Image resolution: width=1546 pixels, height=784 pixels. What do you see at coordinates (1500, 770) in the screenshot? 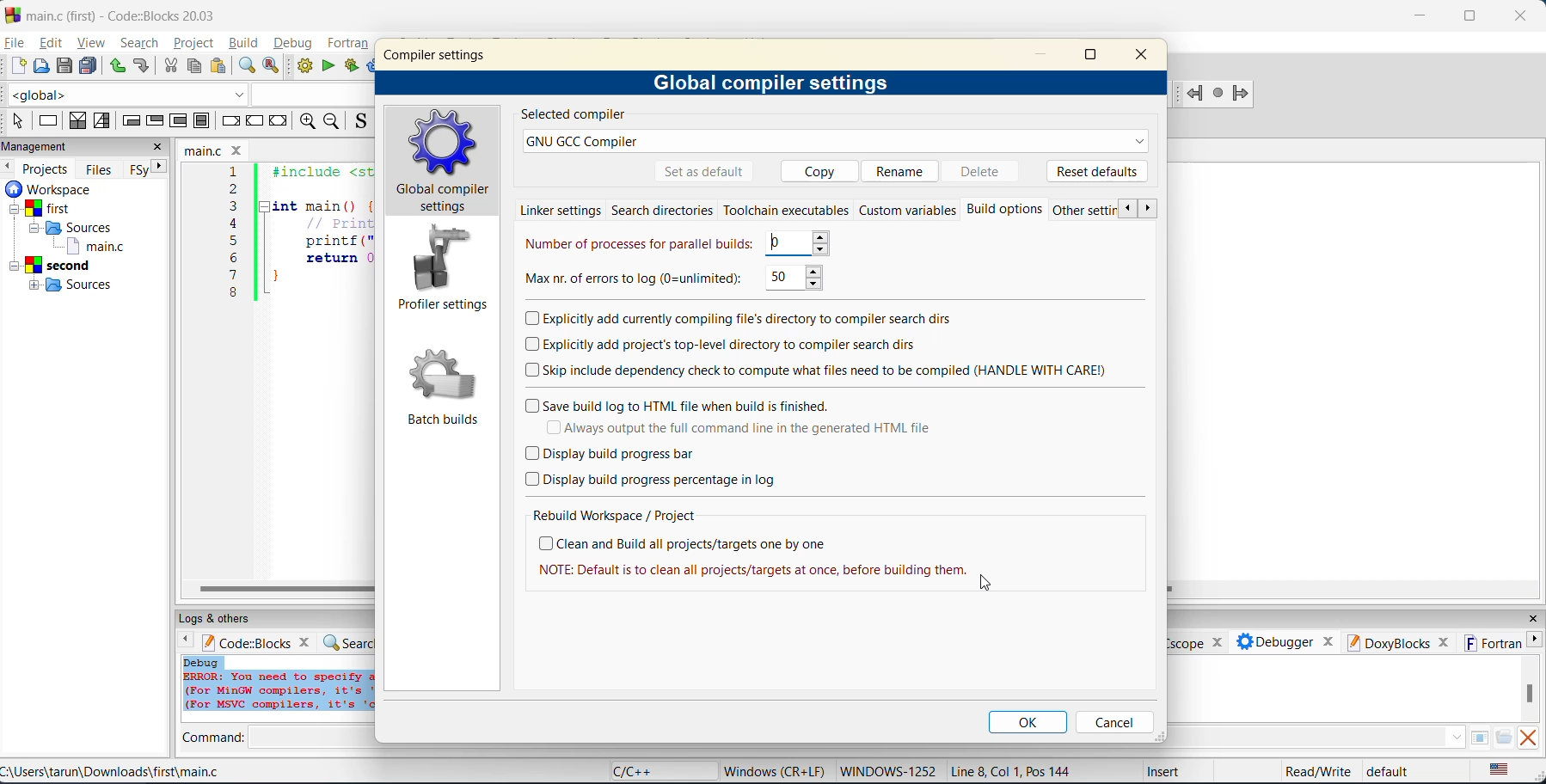
I see `text language` at bounding box center [1500, 770].